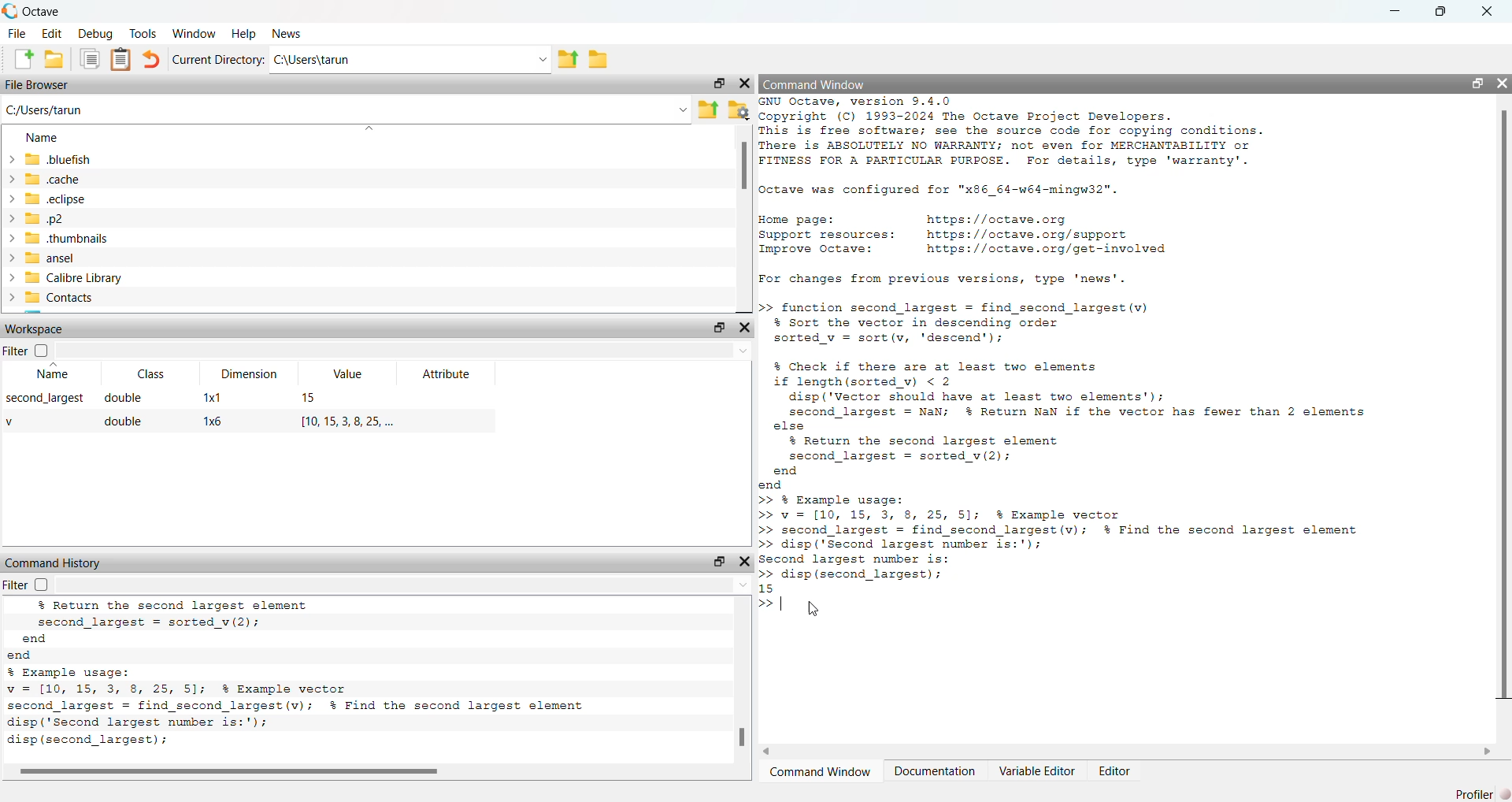 Image resolution: width=1512 pixels, height=802 pixels. What do you see at coordinates (218, 60) in the screenshot?
I see `current directory` at bounding box center [218, 60].